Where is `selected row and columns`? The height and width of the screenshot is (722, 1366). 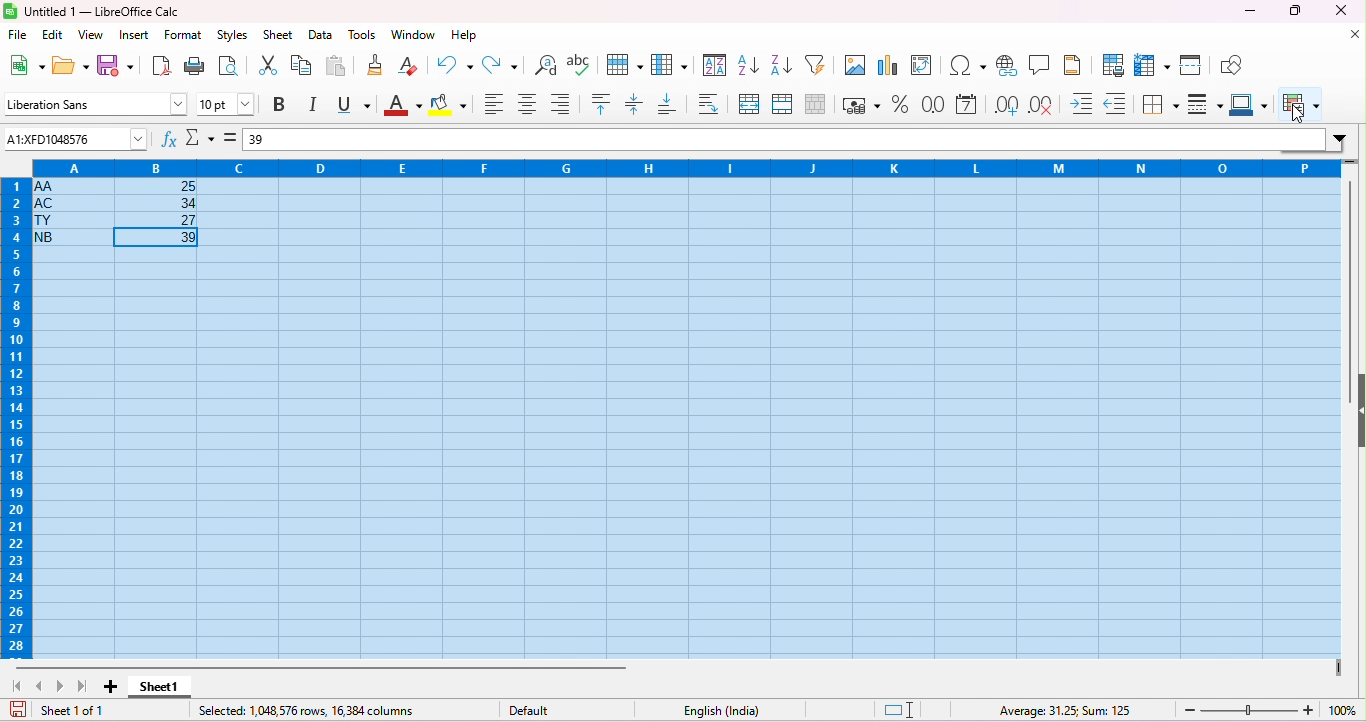 selected row and columns is located at coordinates (308, 710).